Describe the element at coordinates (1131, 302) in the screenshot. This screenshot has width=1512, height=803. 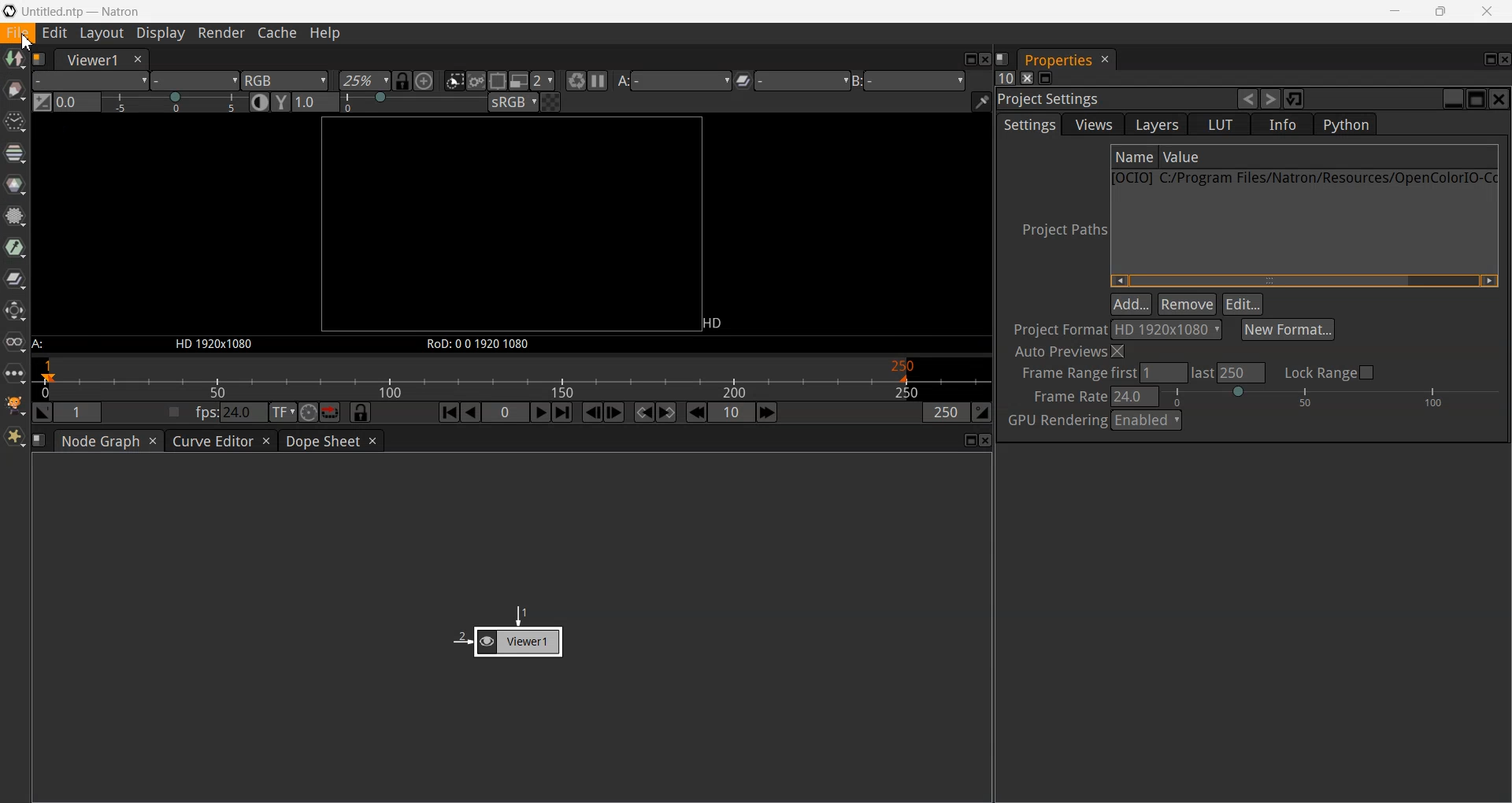
I see `Add` at that location.